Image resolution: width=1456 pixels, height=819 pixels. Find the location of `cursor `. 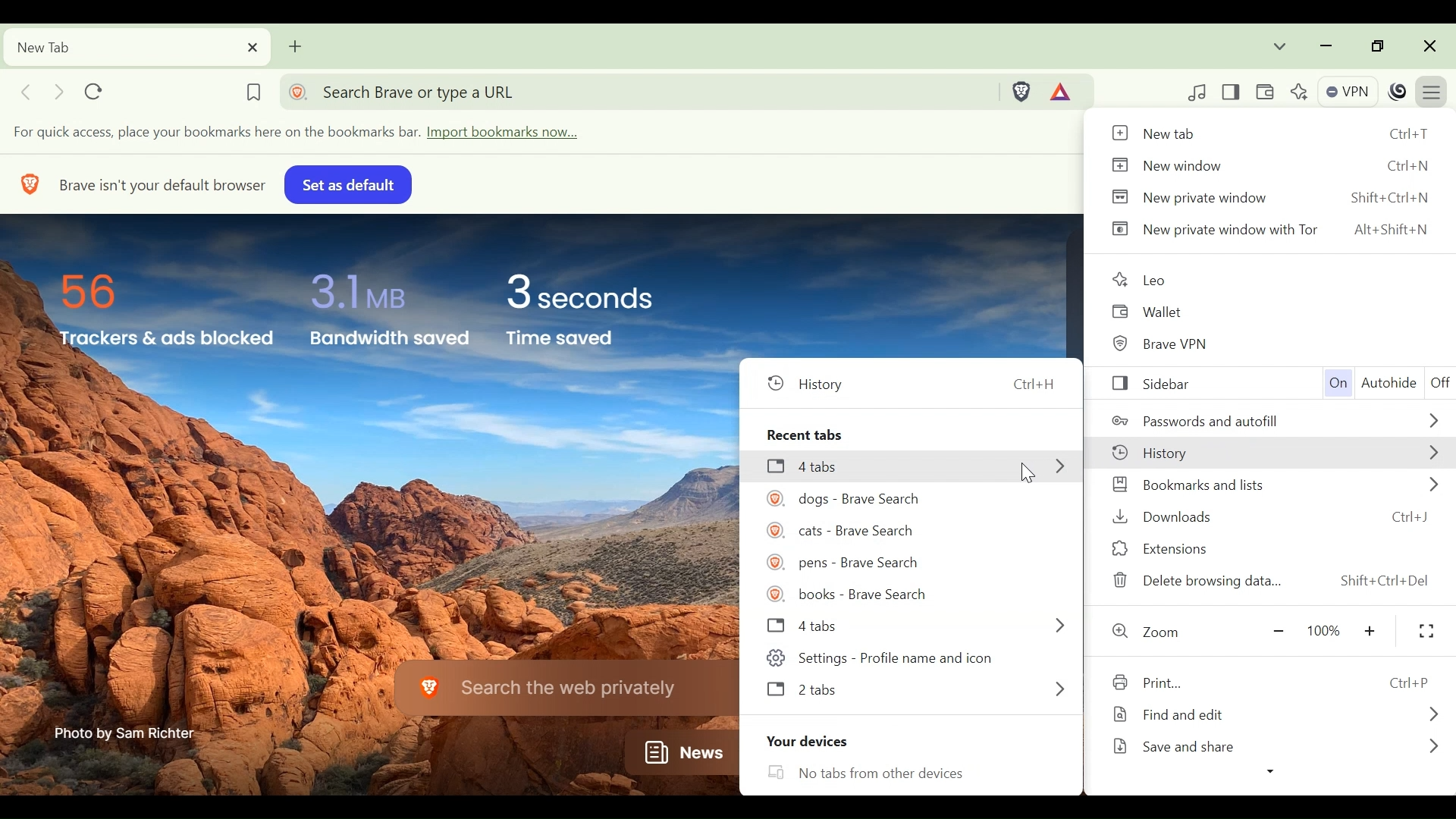

cursor  is located at coordinates (1024, 472).